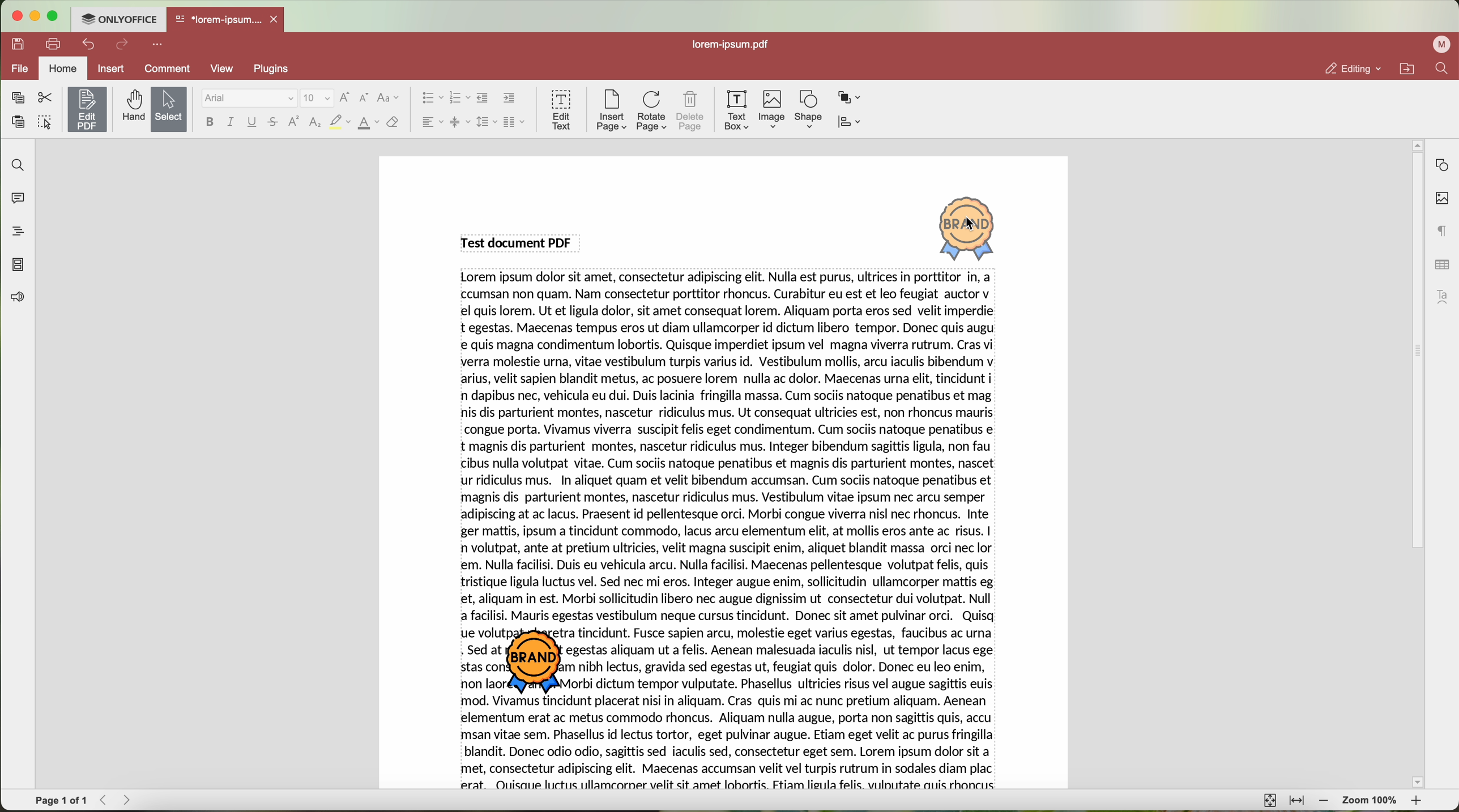 Image resolution: width=1459 pixels, height=812 pixels. Describe the element at coordinates (431, 122) in the screenshot. I see `horizontal align` at that location.